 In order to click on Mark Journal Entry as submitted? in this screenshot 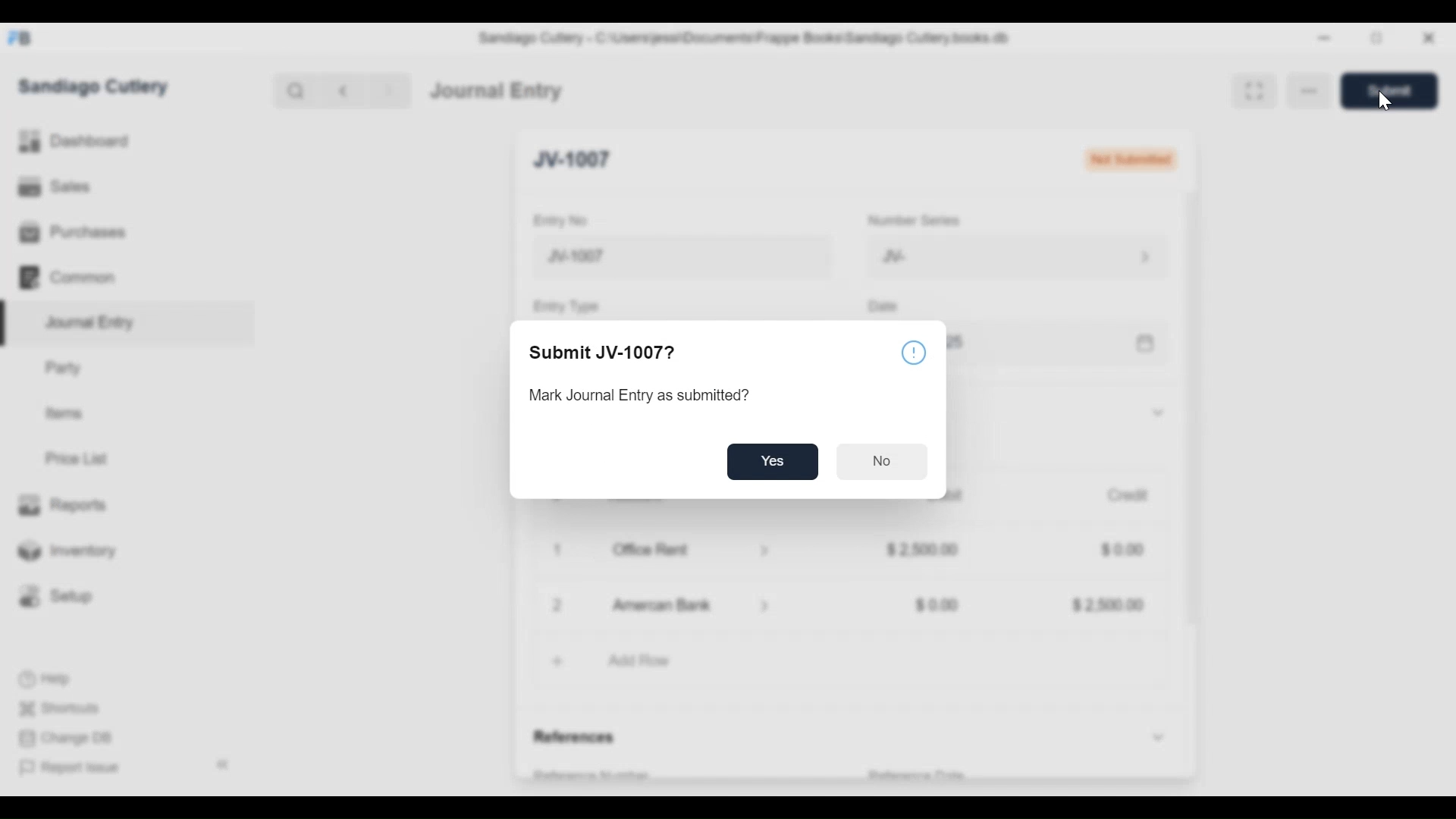, I will do `click(639, 395)`.